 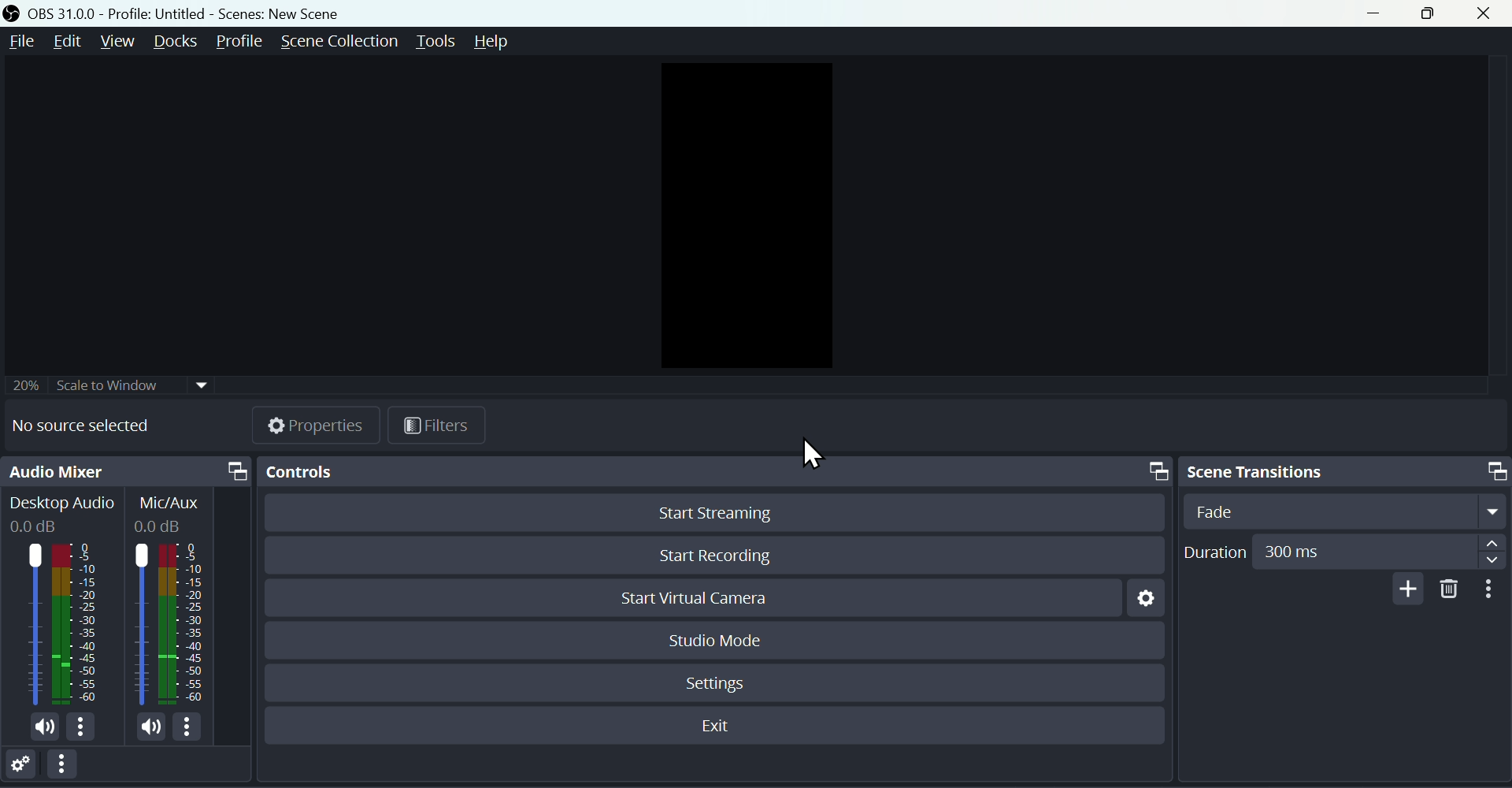 I want to click on minimise, so click(x=1379, y=15).